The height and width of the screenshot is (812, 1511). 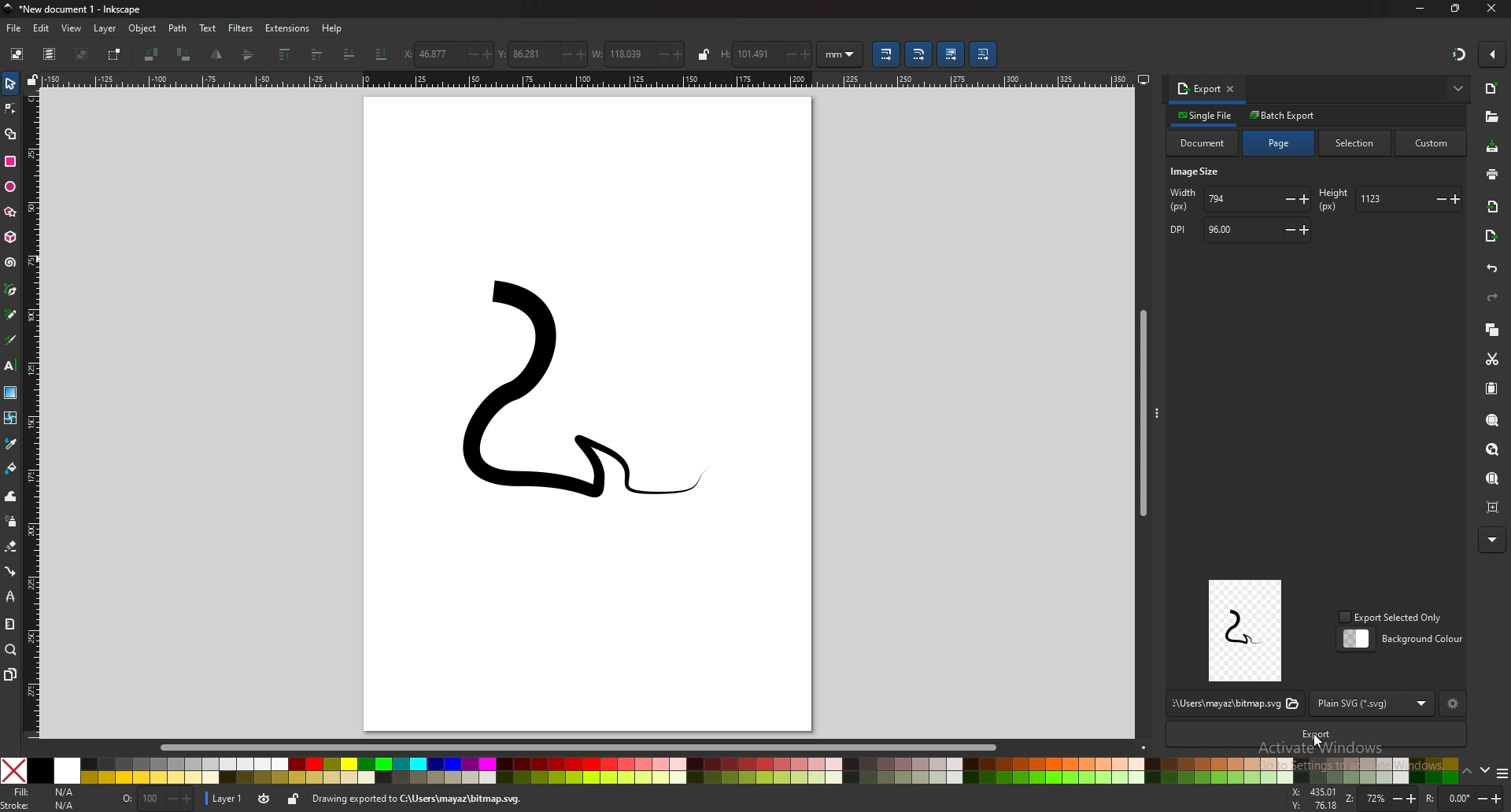 What do you see at coordinates (1493, 359) in the screenshot?
I see `cut` at bounding box center [1493, 359].